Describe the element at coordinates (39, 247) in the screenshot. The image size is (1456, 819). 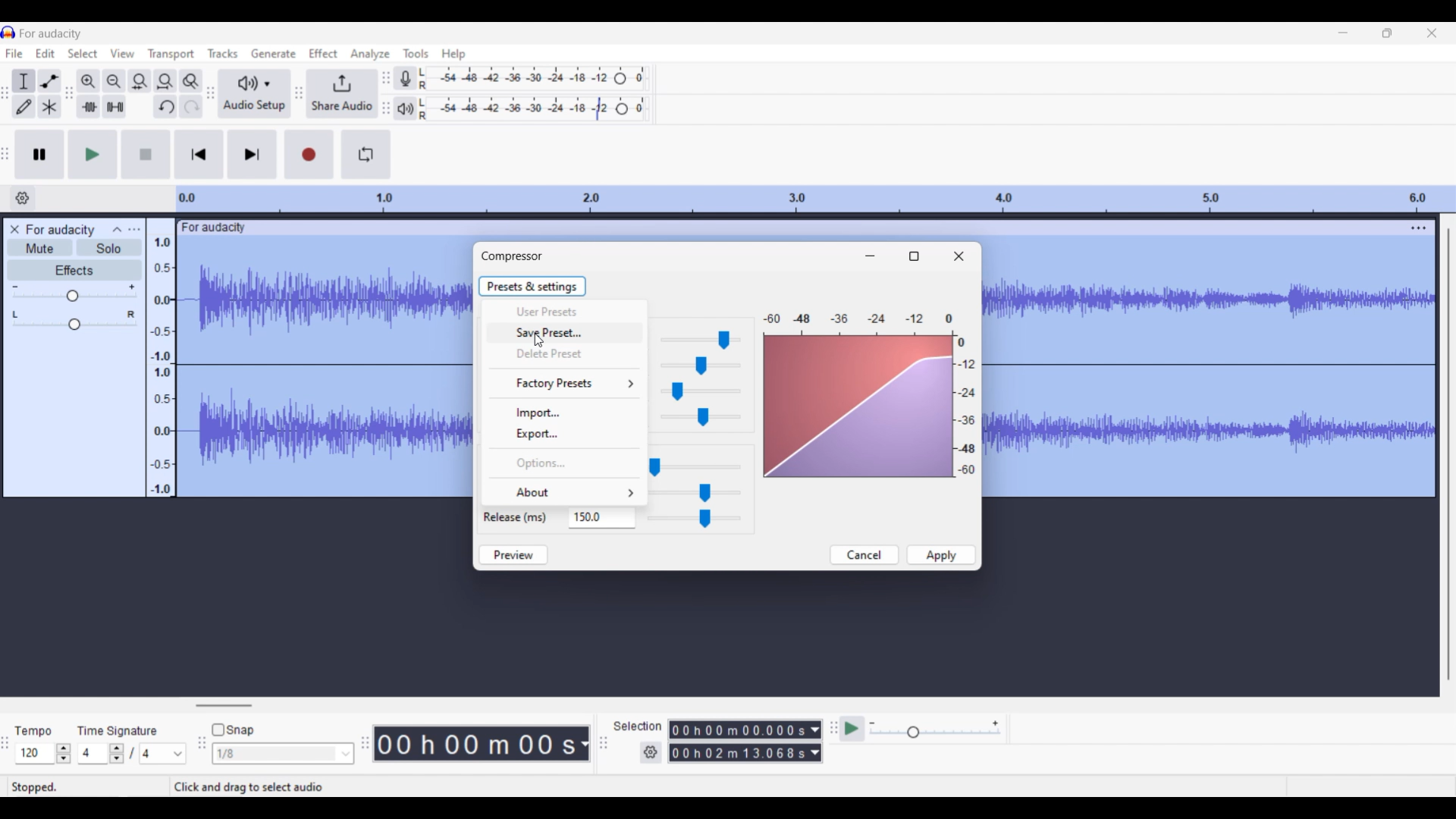
I see `Mute` at that location.